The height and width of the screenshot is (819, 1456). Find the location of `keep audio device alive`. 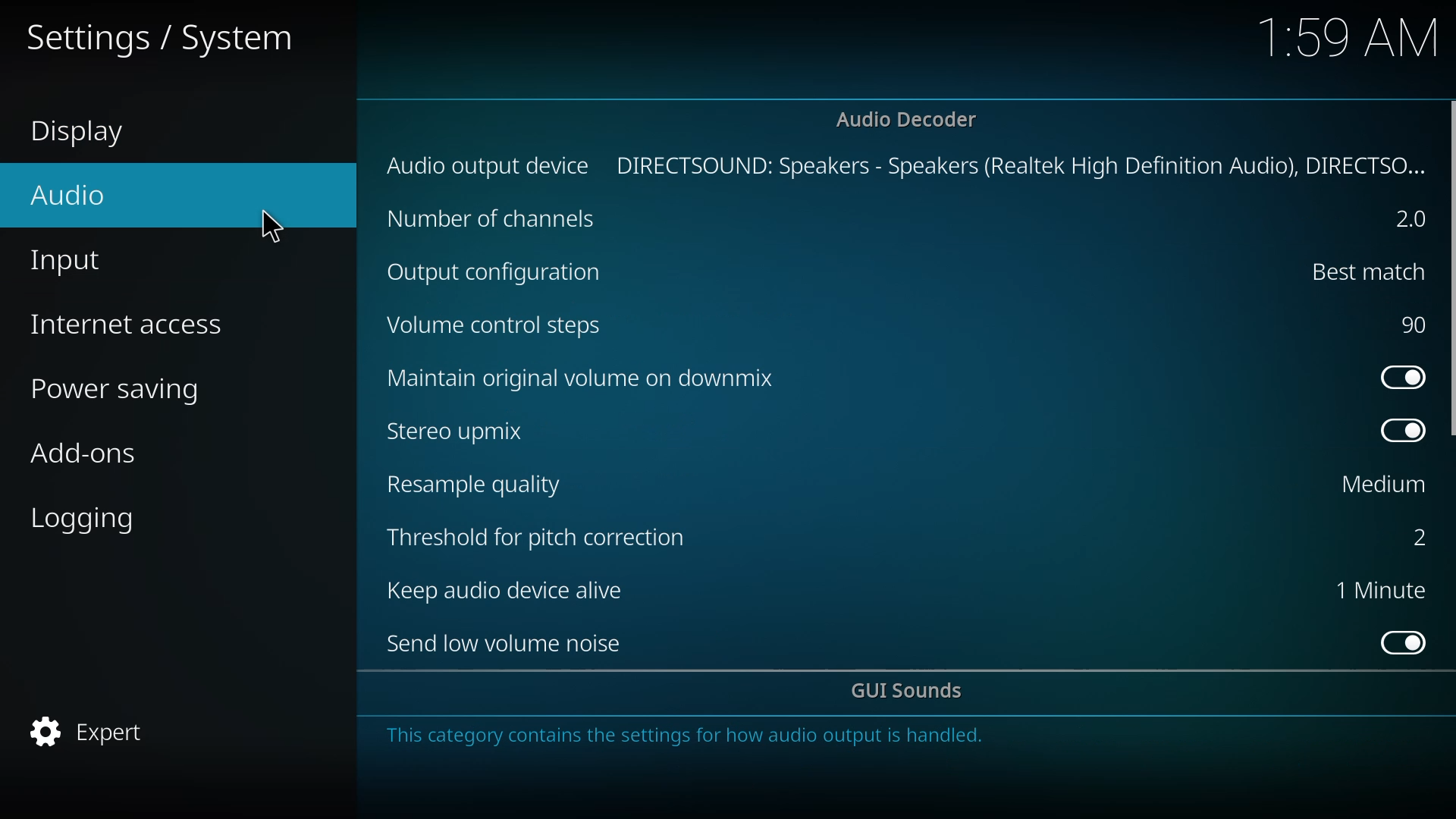

keep audio device alive is located at coordinates (510, 589).